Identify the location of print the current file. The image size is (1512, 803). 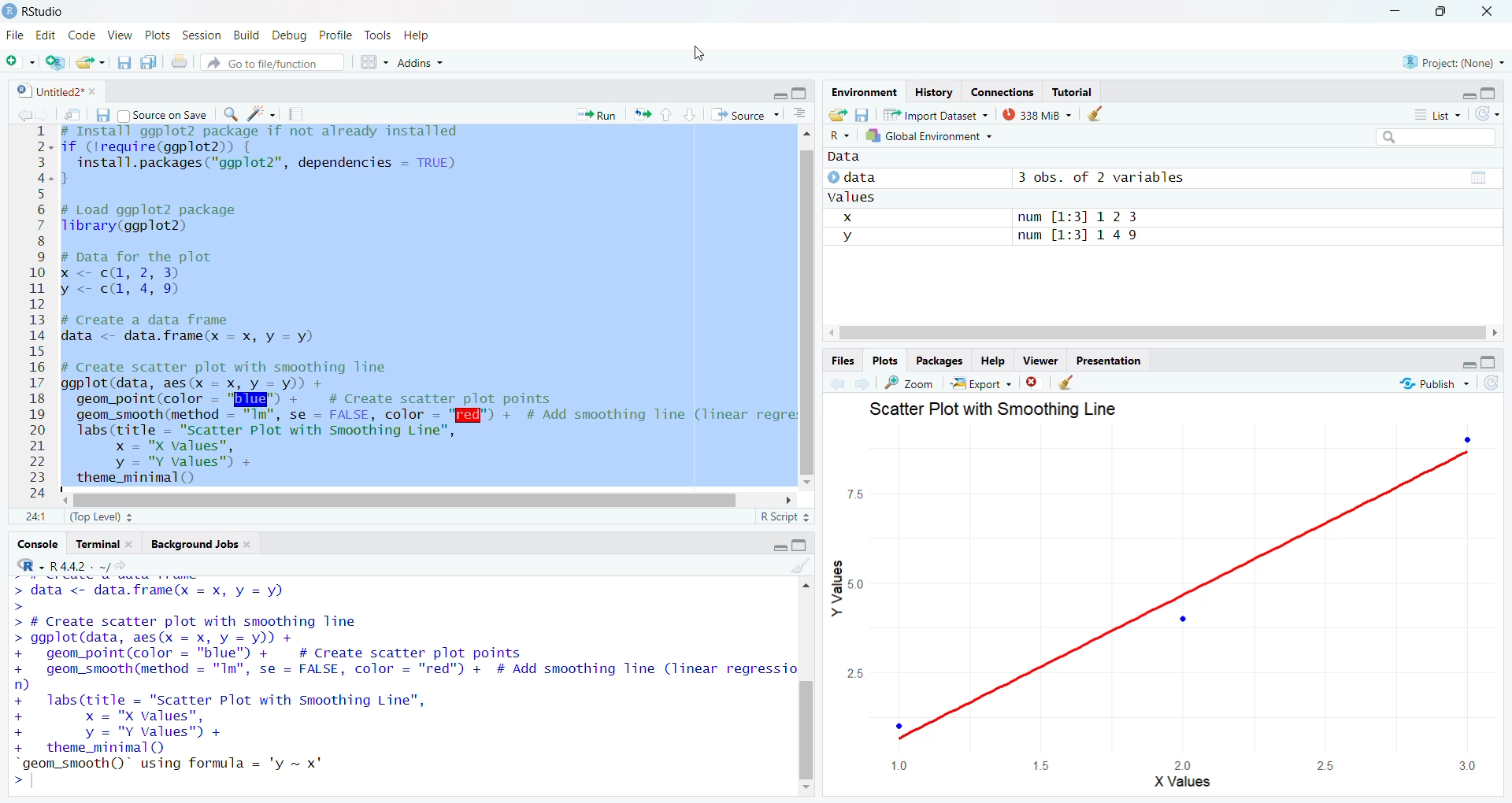
(179, 62).